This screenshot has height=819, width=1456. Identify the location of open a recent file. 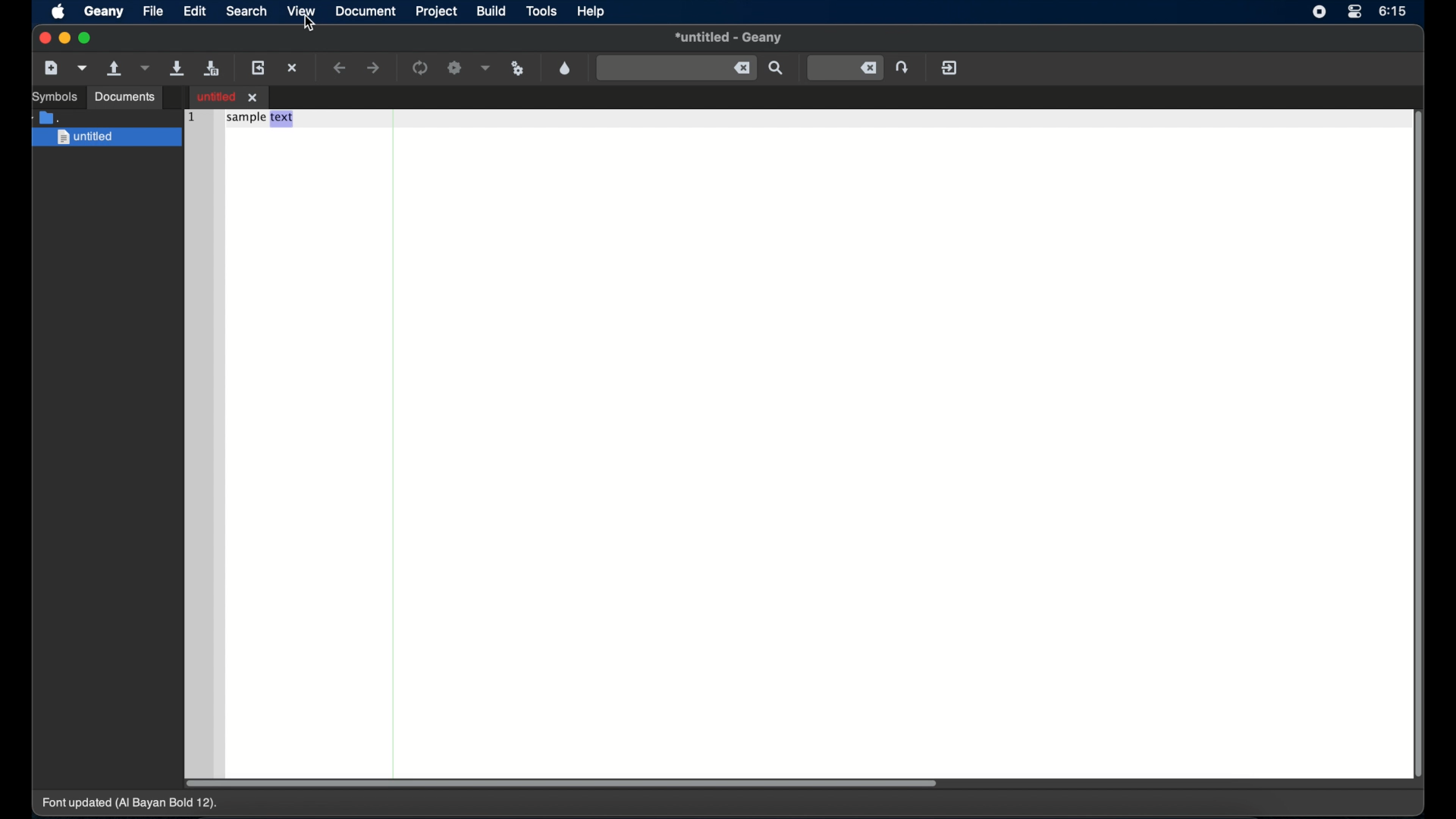
(146, 67).